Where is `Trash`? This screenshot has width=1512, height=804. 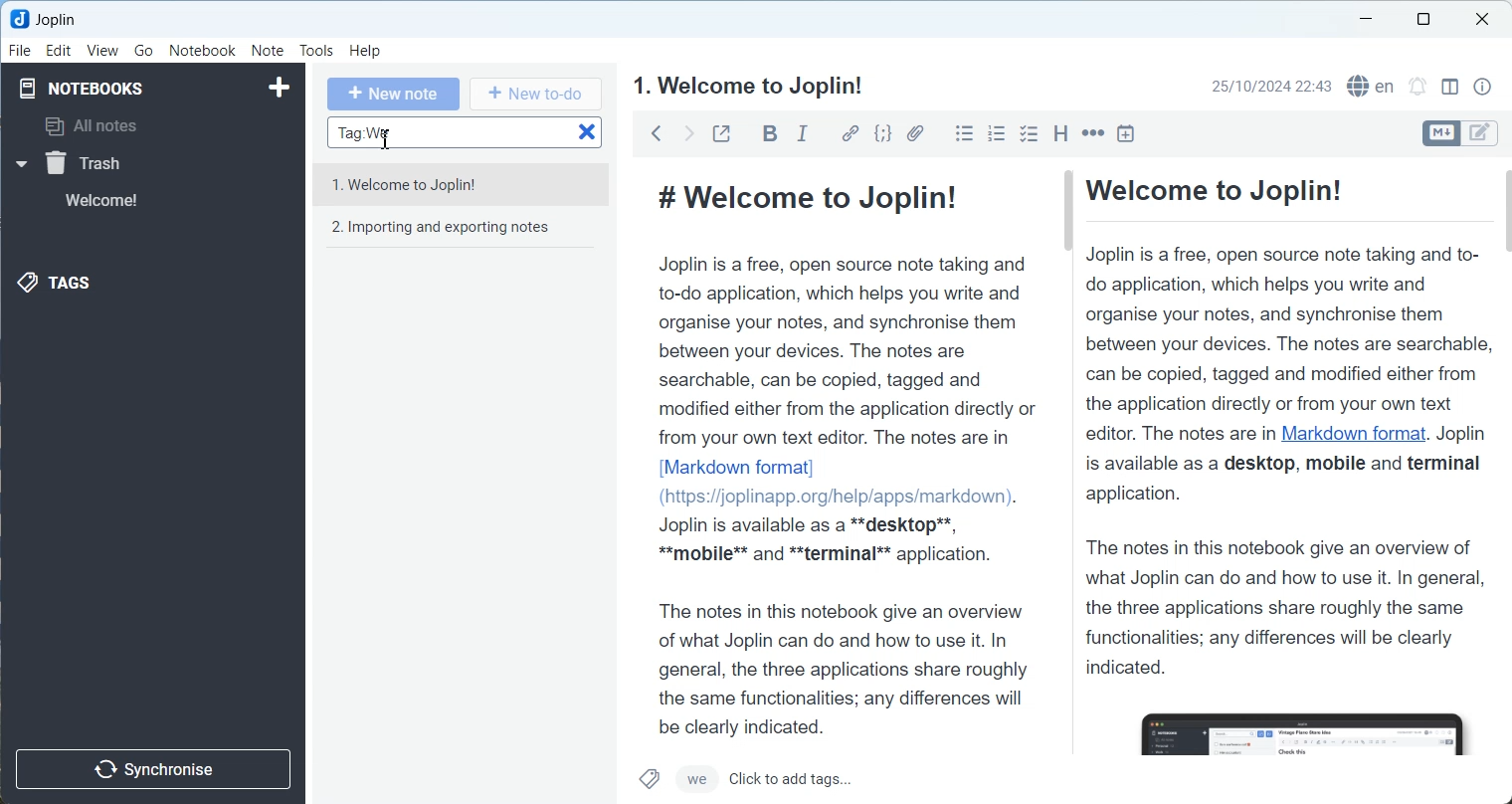
Trash is located at coordinates (128, 162).